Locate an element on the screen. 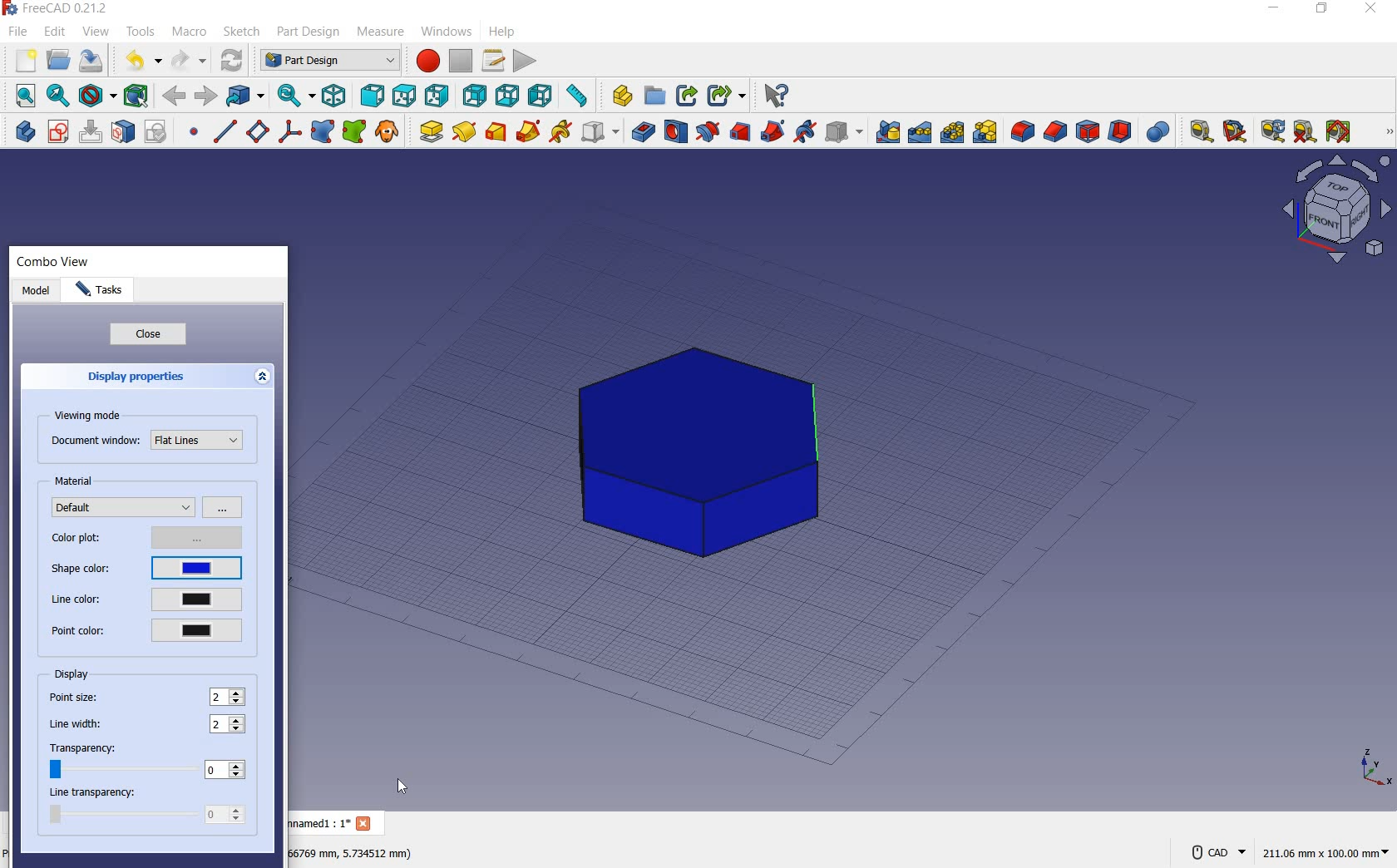 The image size is (1397, 868). left is located at coordinates (542, 96).